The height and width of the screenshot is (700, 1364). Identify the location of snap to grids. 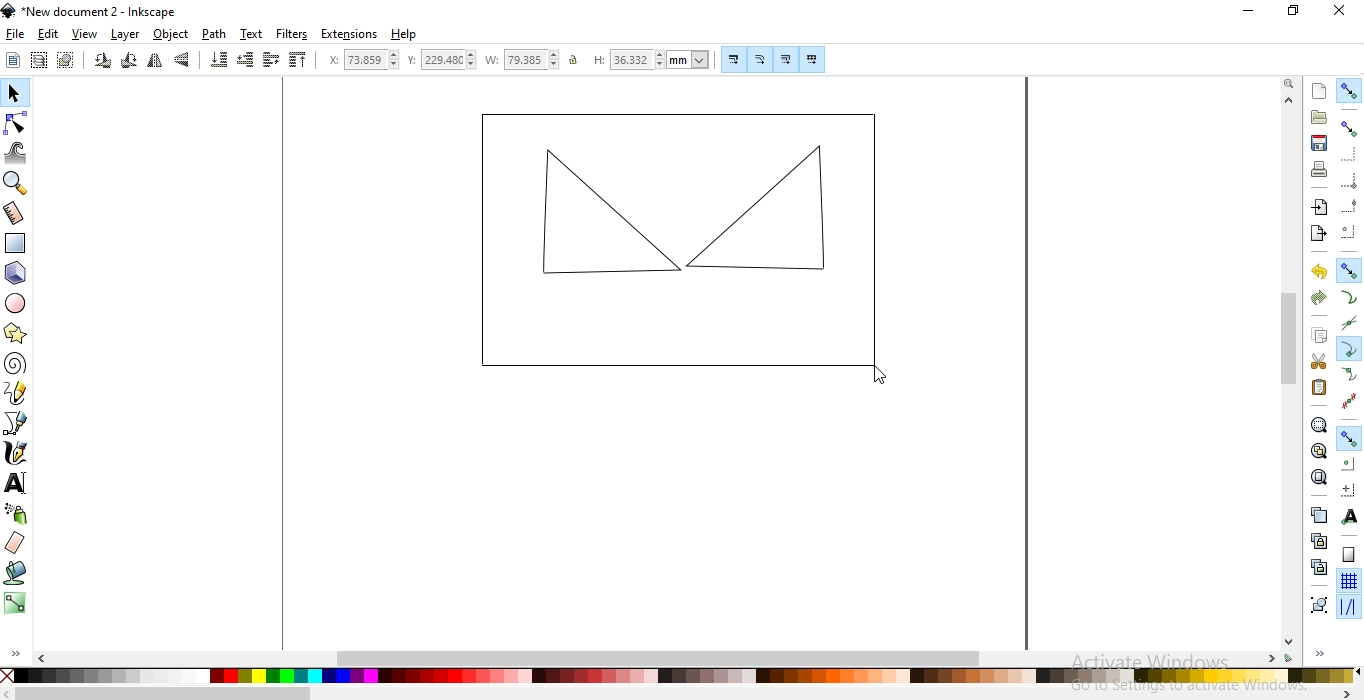
(1348, 581).